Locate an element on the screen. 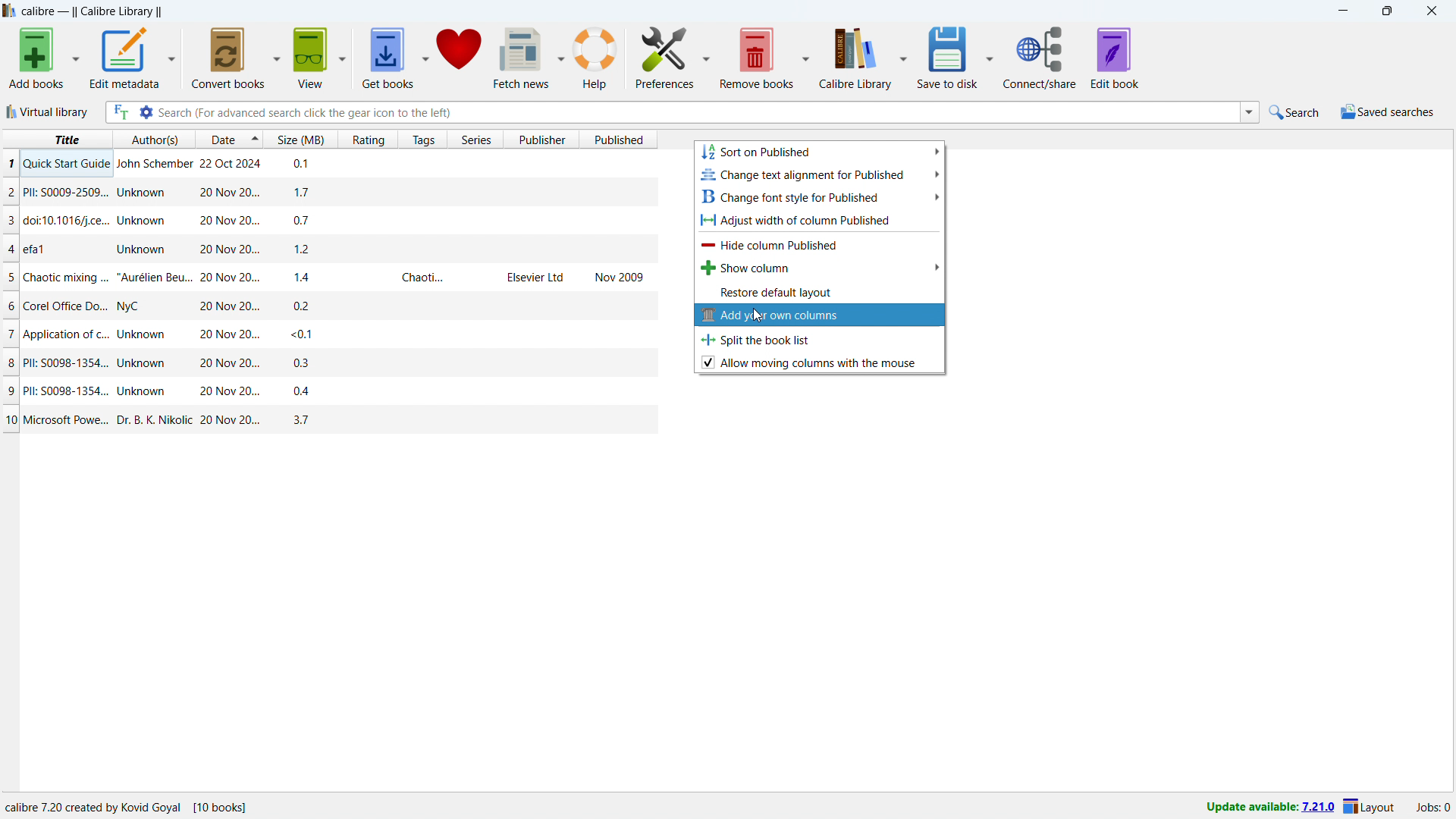 This screenshot has width=1456, height=819. view options is located at coordinates (342, 57).